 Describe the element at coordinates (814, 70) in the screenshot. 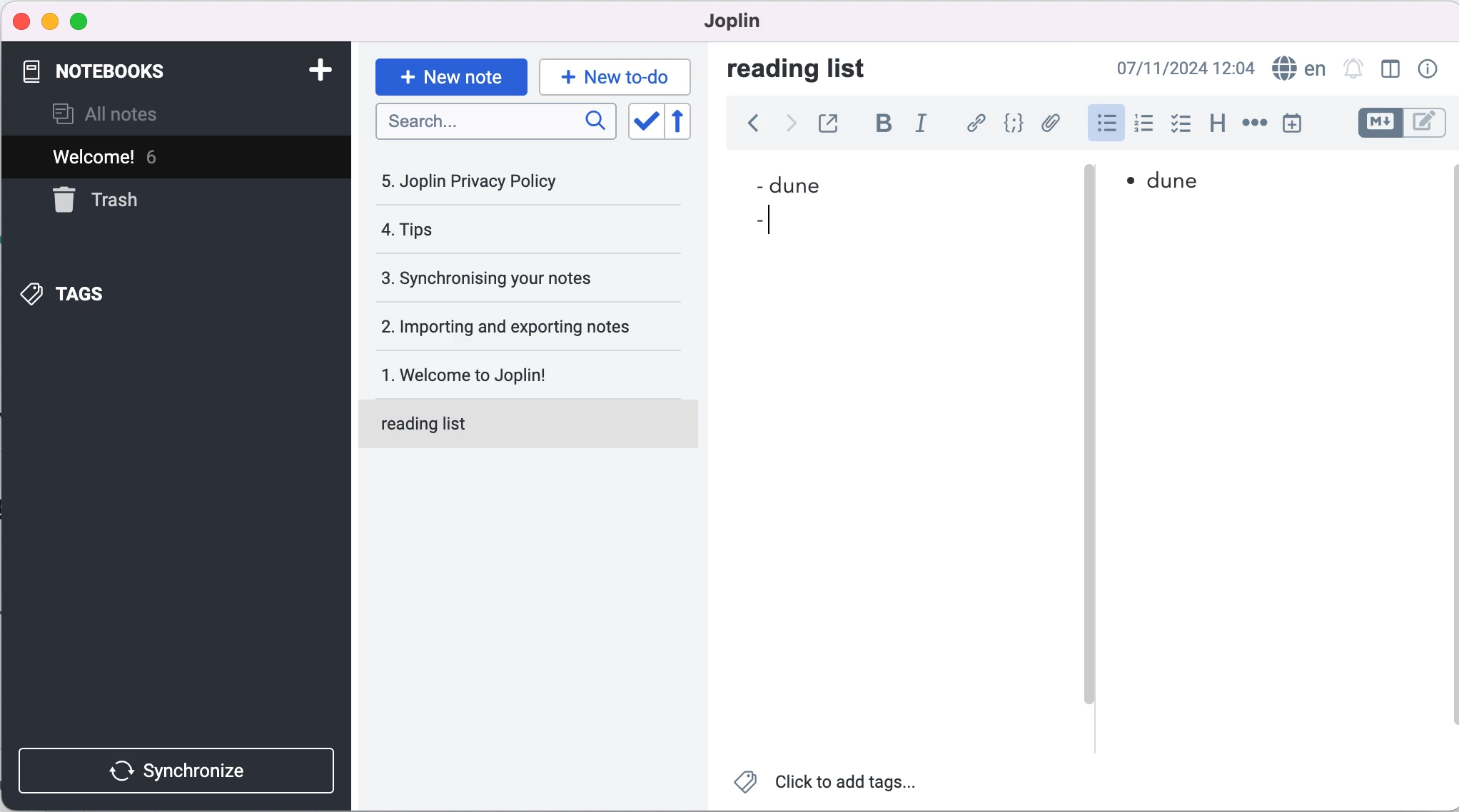

I see `reading list` at that location.